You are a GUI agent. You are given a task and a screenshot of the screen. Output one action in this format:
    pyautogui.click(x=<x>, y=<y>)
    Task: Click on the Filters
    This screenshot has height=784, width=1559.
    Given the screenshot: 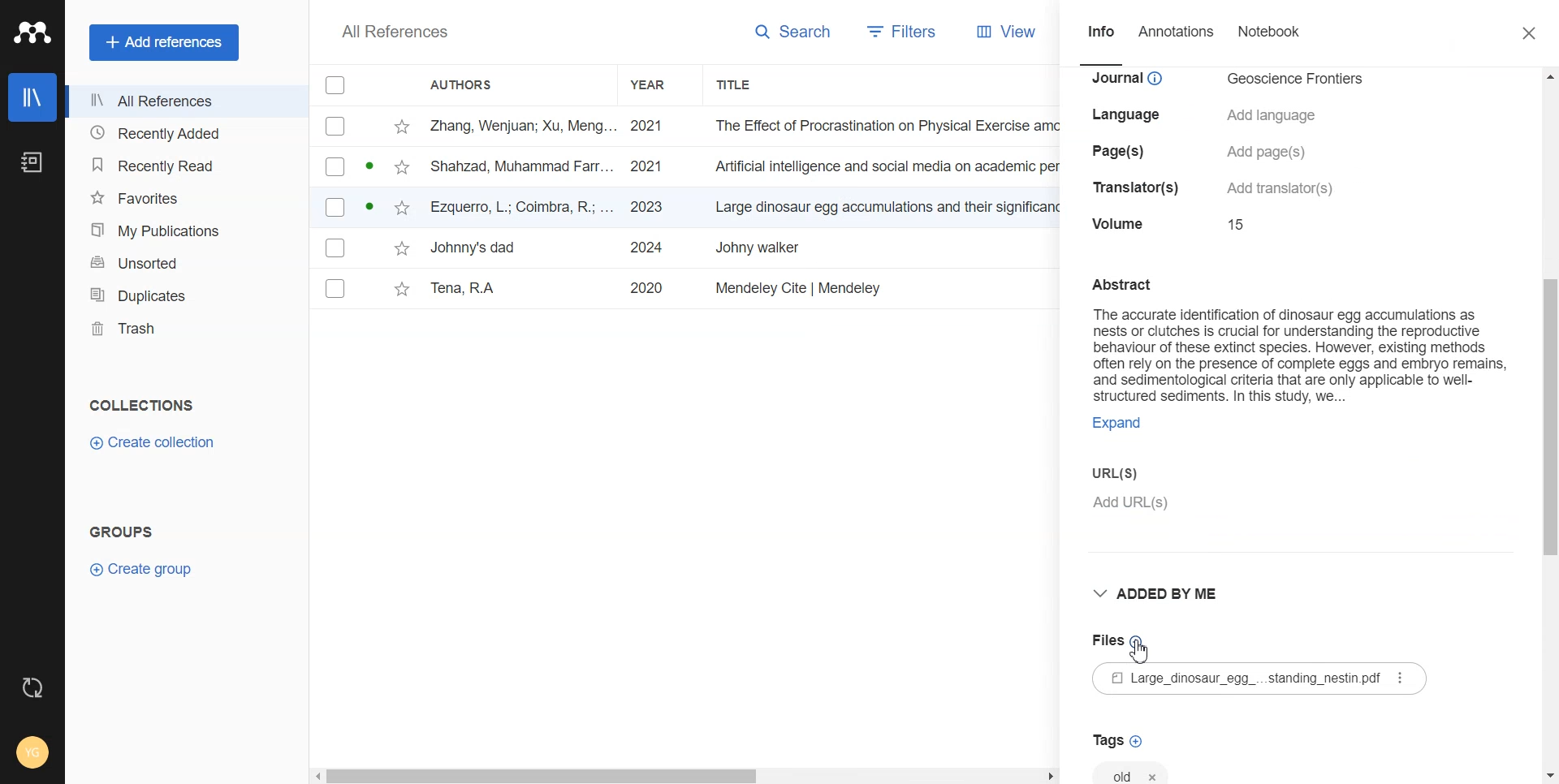 What is the action you would take?
    pyautogui.click(x=902, y=32)
    